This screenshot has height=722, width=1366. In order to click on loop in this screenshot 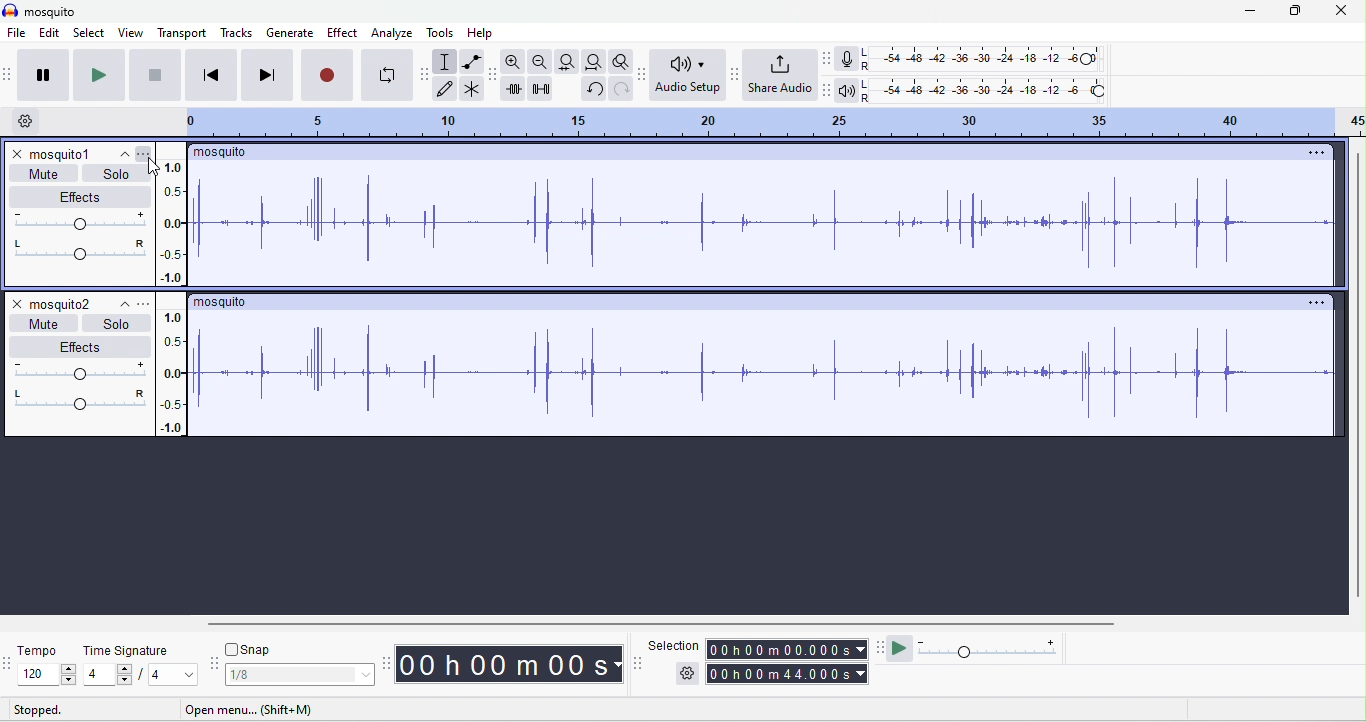, I will do `click(389, 74)`.